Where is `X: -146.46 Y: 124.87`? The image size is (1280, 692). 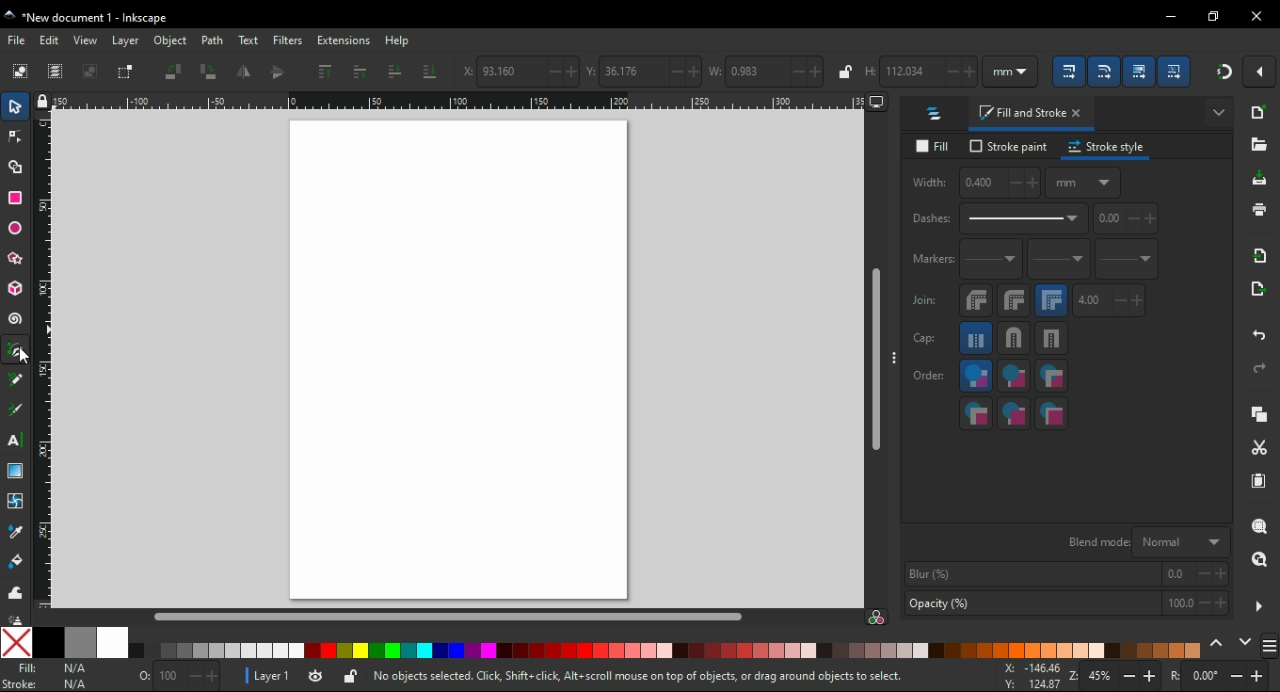 X: -146.46 Y: 124.87 is located at coordinates (1026, 677).